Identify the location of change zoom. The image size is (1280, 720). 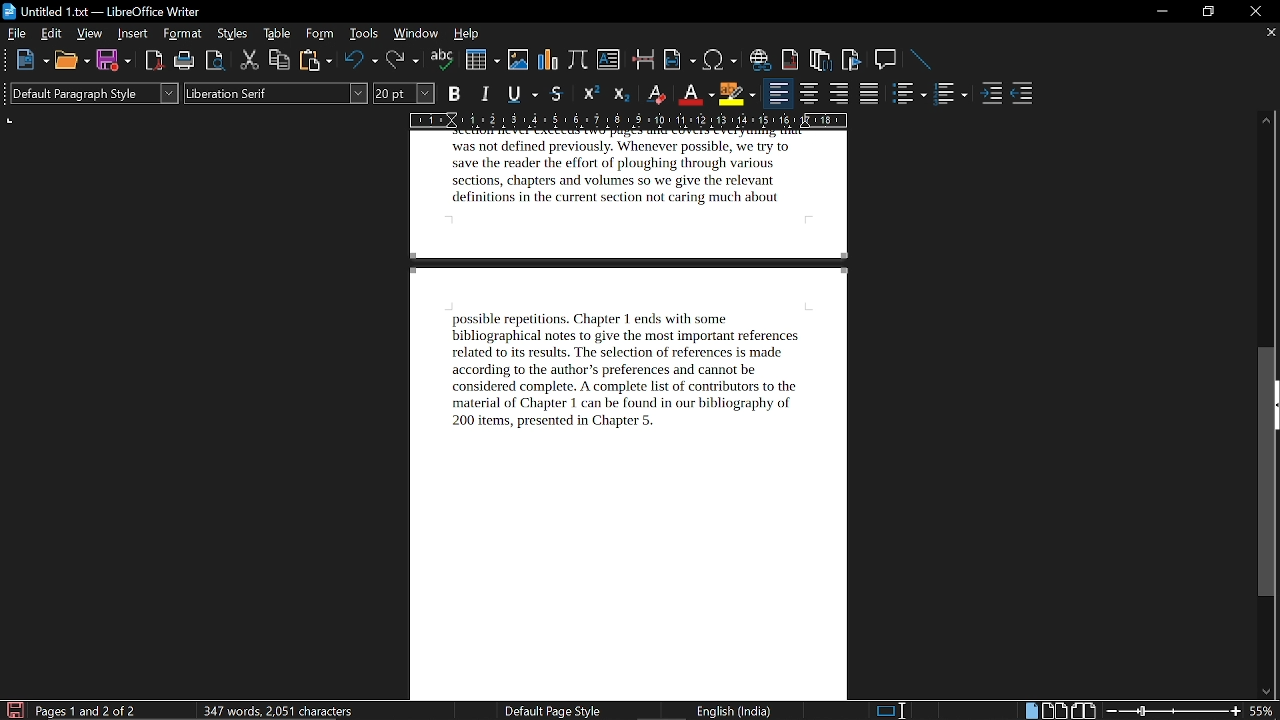
(1172, 711).